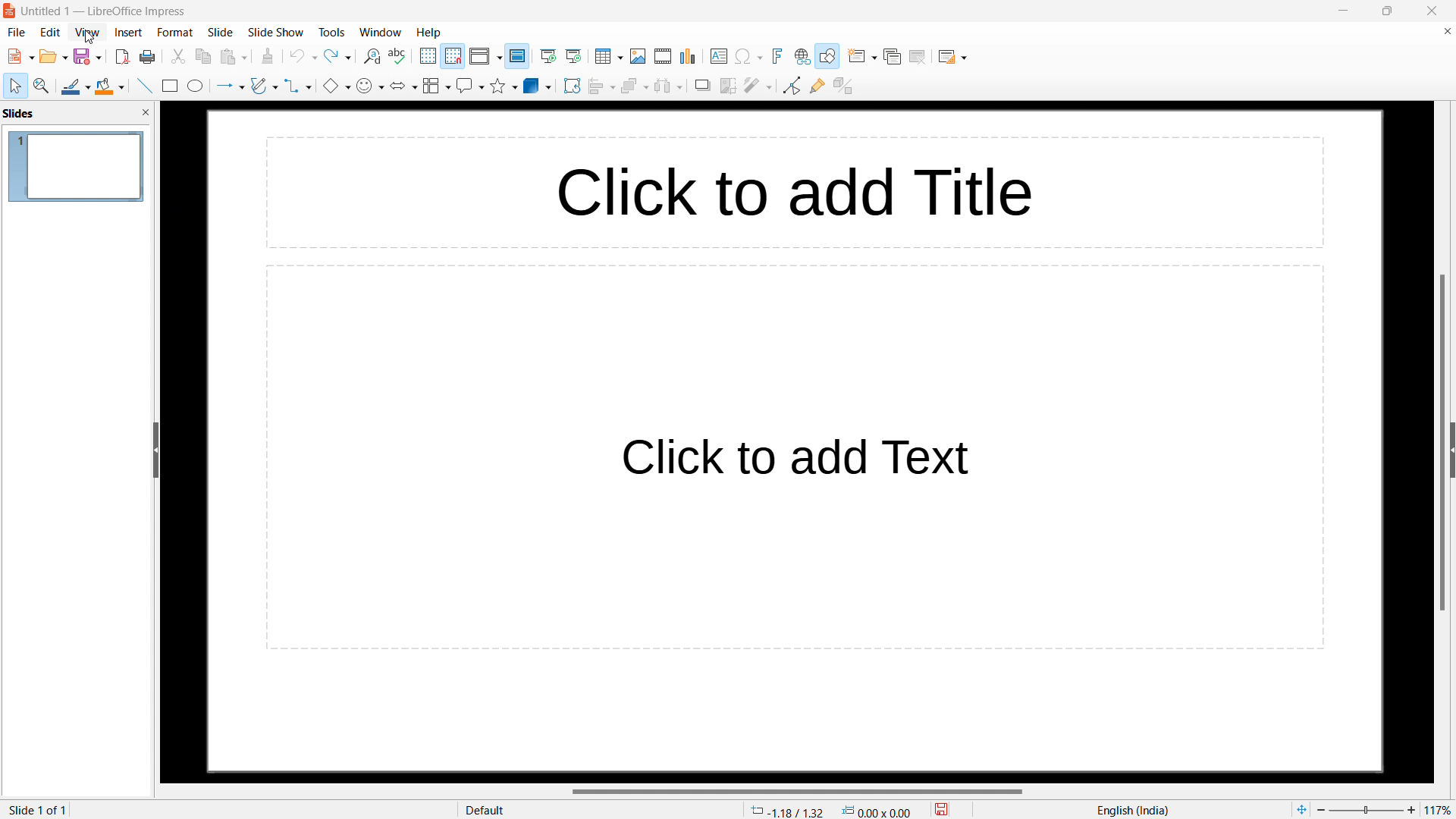 This screenshot has height=819, width=1456. I want to click on insert image, so click(639, 56).